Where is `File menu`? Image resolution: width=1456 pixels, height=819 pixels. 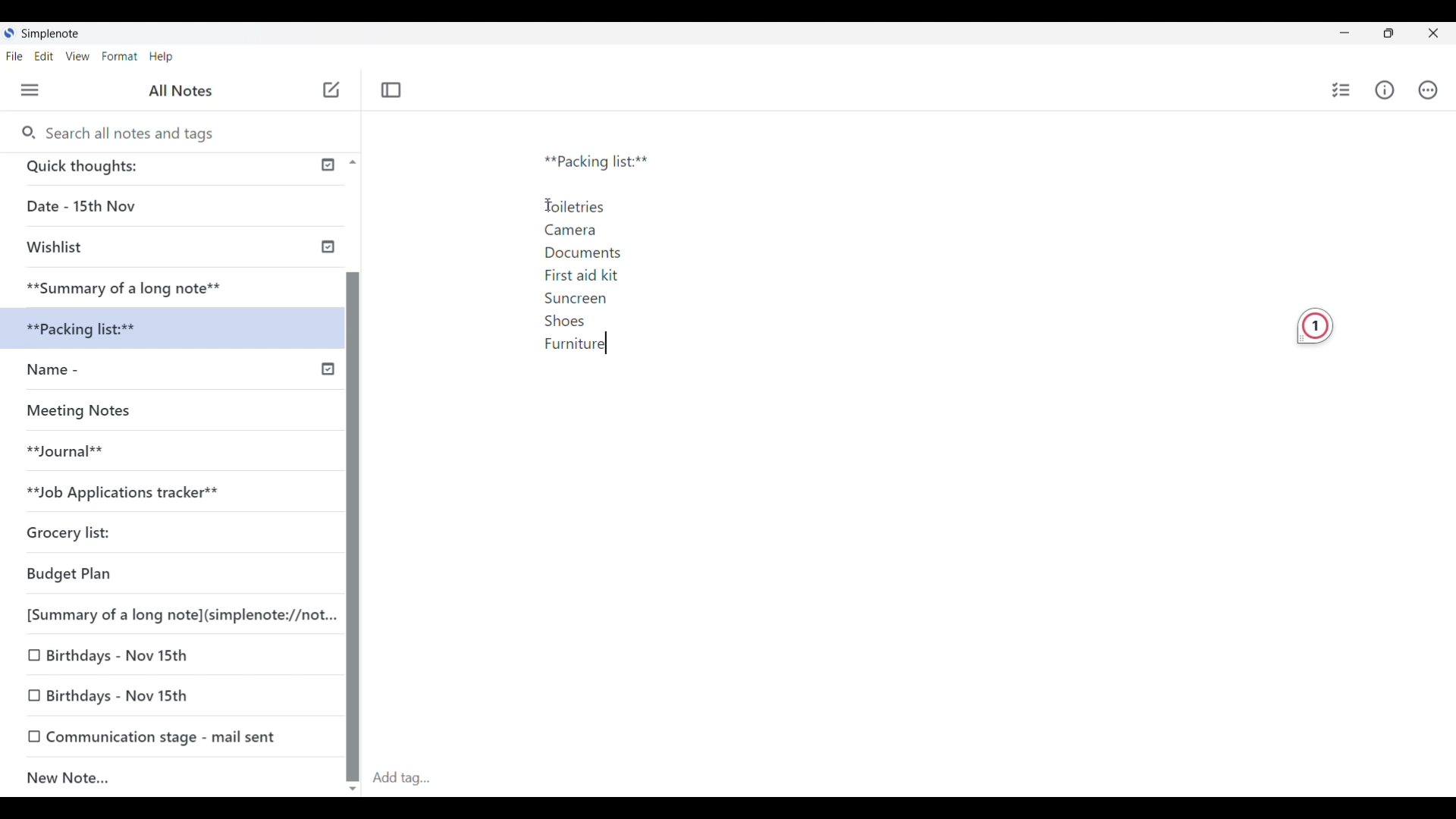 File menu is located at coordinates (14, 56).